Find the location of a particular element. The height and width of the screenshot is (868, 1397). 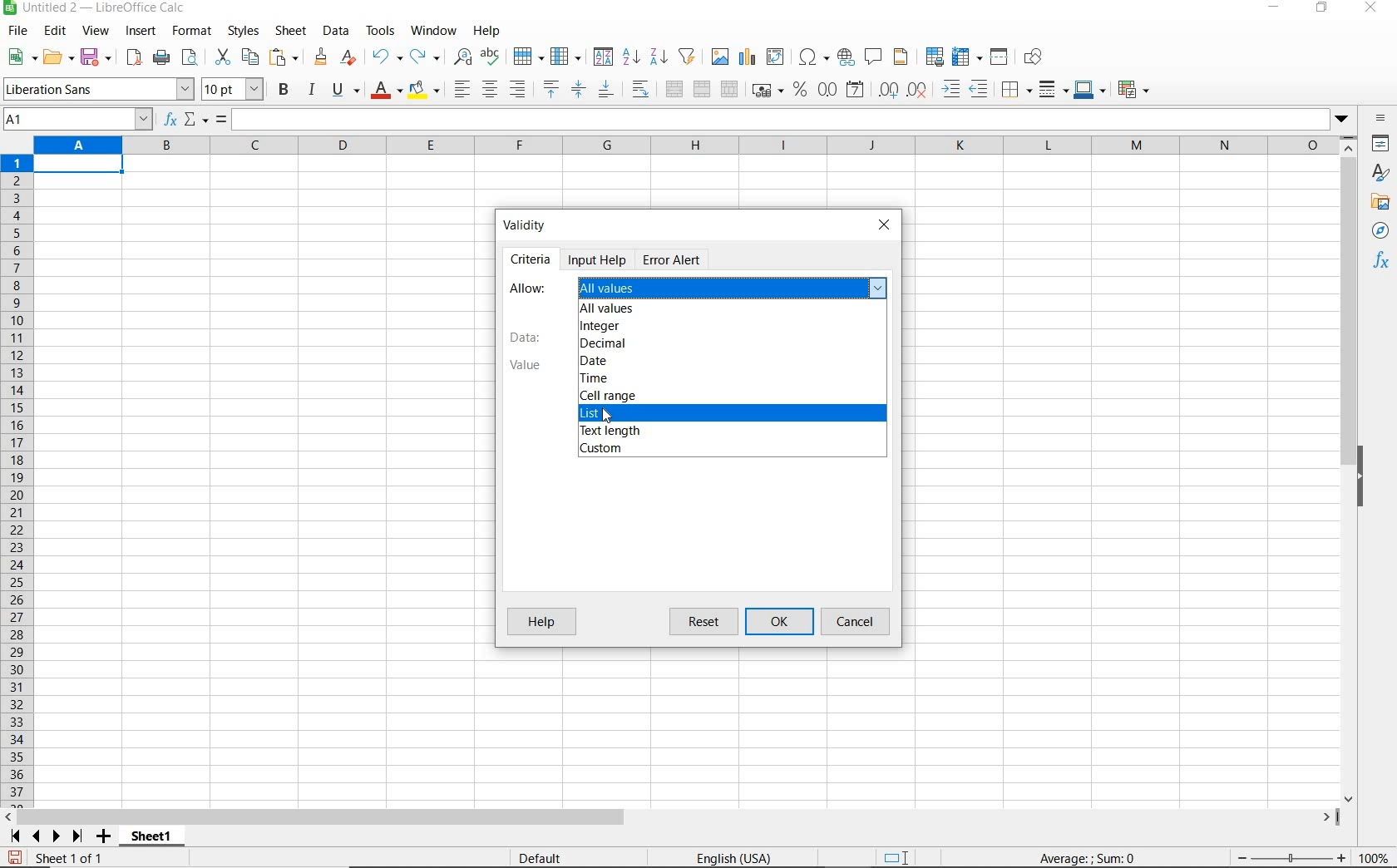

formula is located at coordinates (1088, 857).